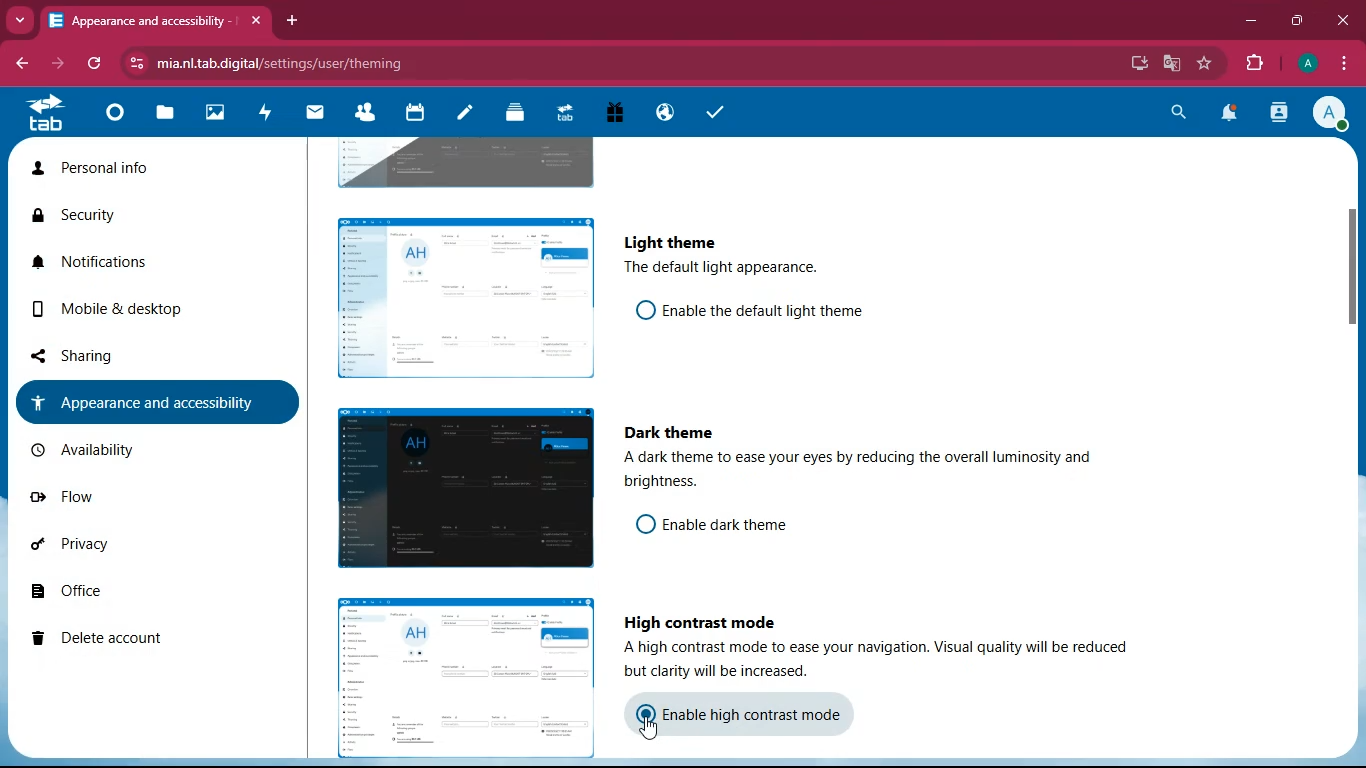 The height and width of the screenshot is (768, 1366). Describe the element at coordinates (1180, 114) in the screenshot. I see `search` at that location.